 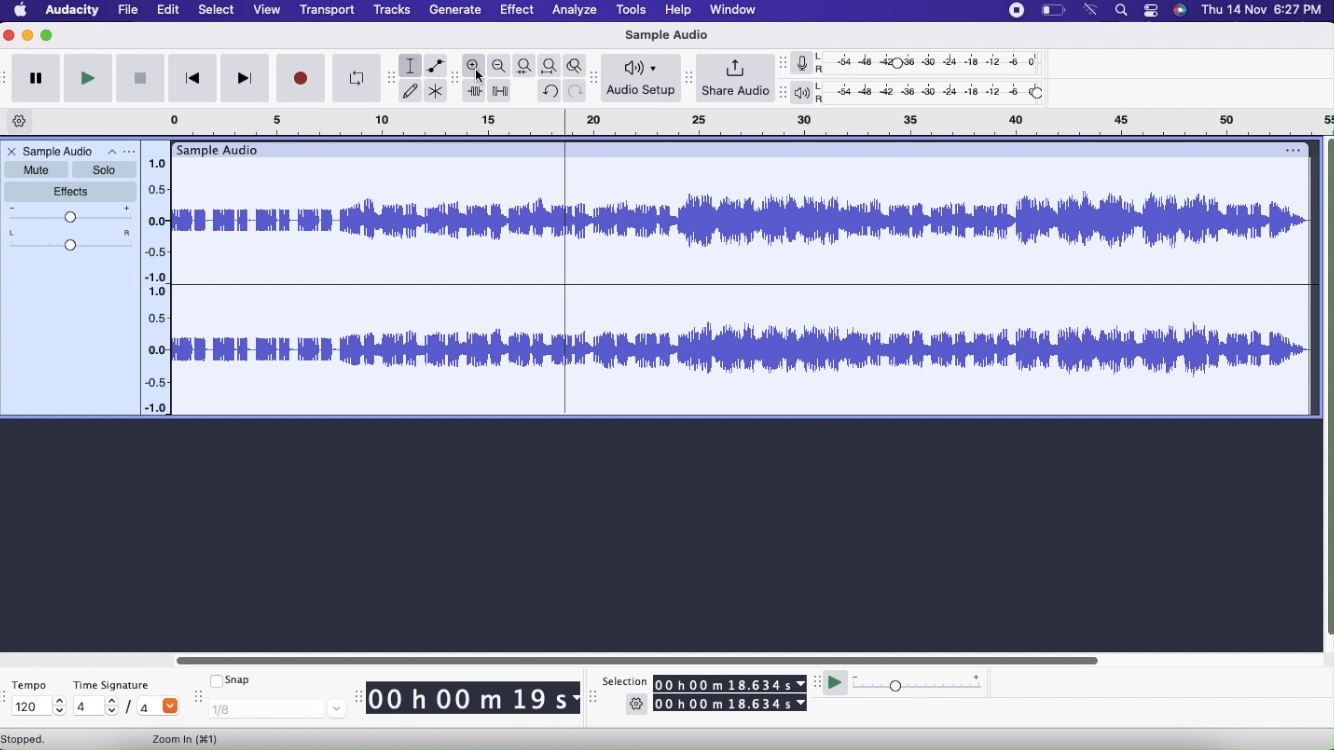 What do you see at coordinates (120, 151) in the screenshot?
I see `Options` at bounding box center [120, 151].